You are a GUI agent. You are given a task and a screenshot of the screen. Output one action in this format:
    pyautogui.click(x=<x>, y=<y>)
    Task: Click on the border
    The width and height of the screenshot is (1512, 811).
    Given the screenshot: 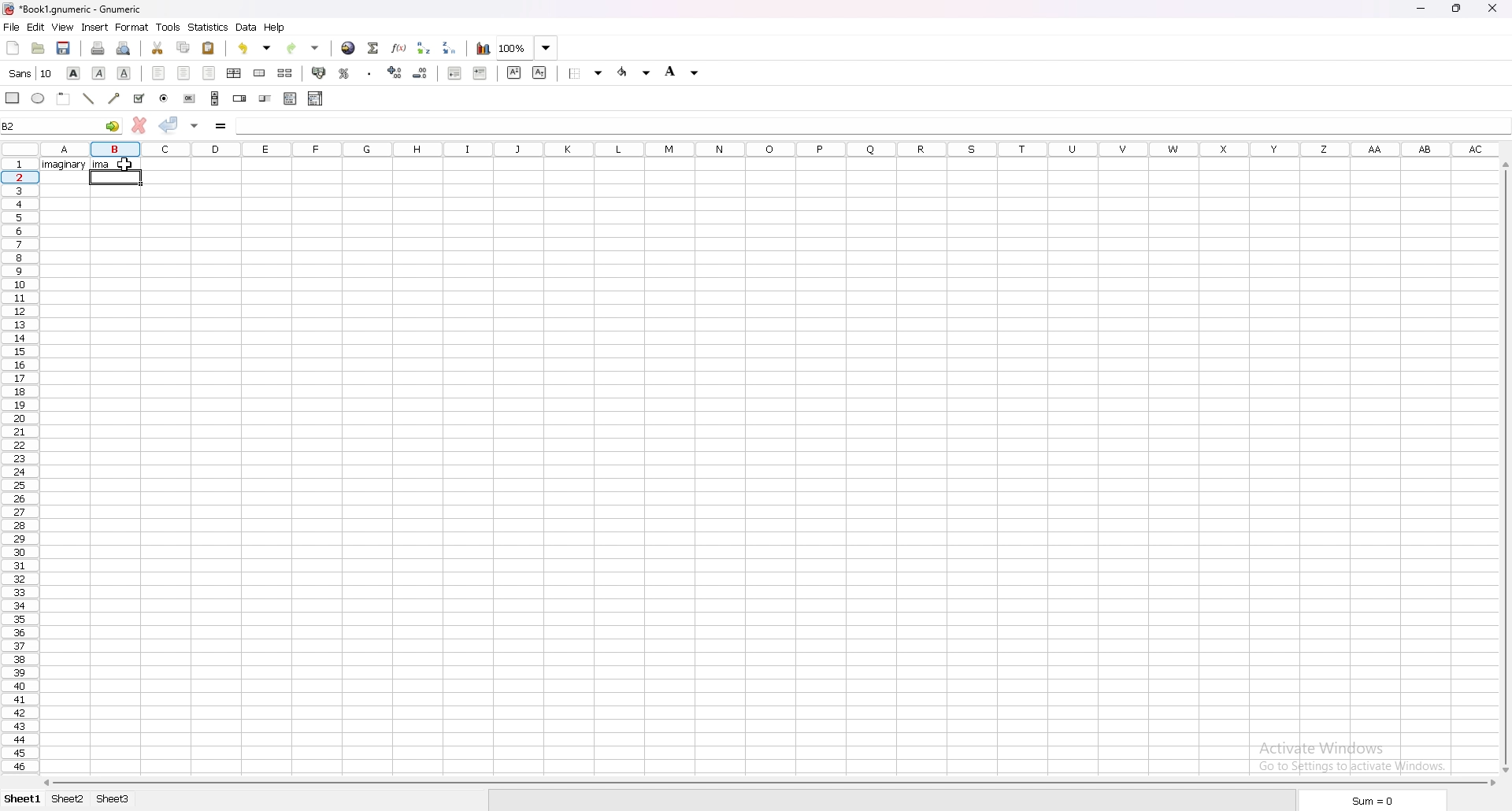 What is the action you would take?
    pyautogui.click(x=584, y=73)
    